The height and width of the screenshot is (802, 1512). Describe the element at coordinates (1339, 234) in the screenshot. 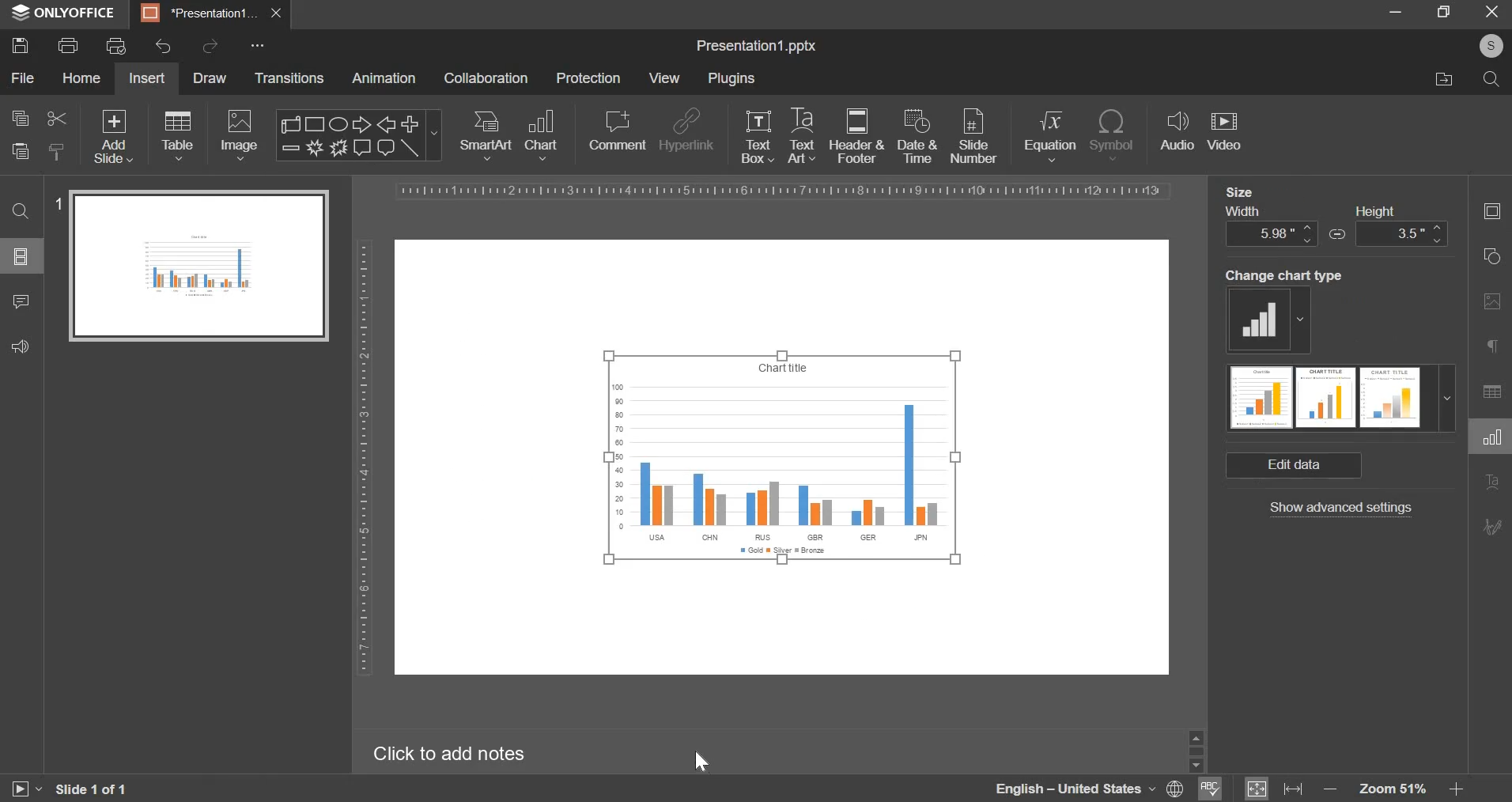

I see `shuffle` at that location.